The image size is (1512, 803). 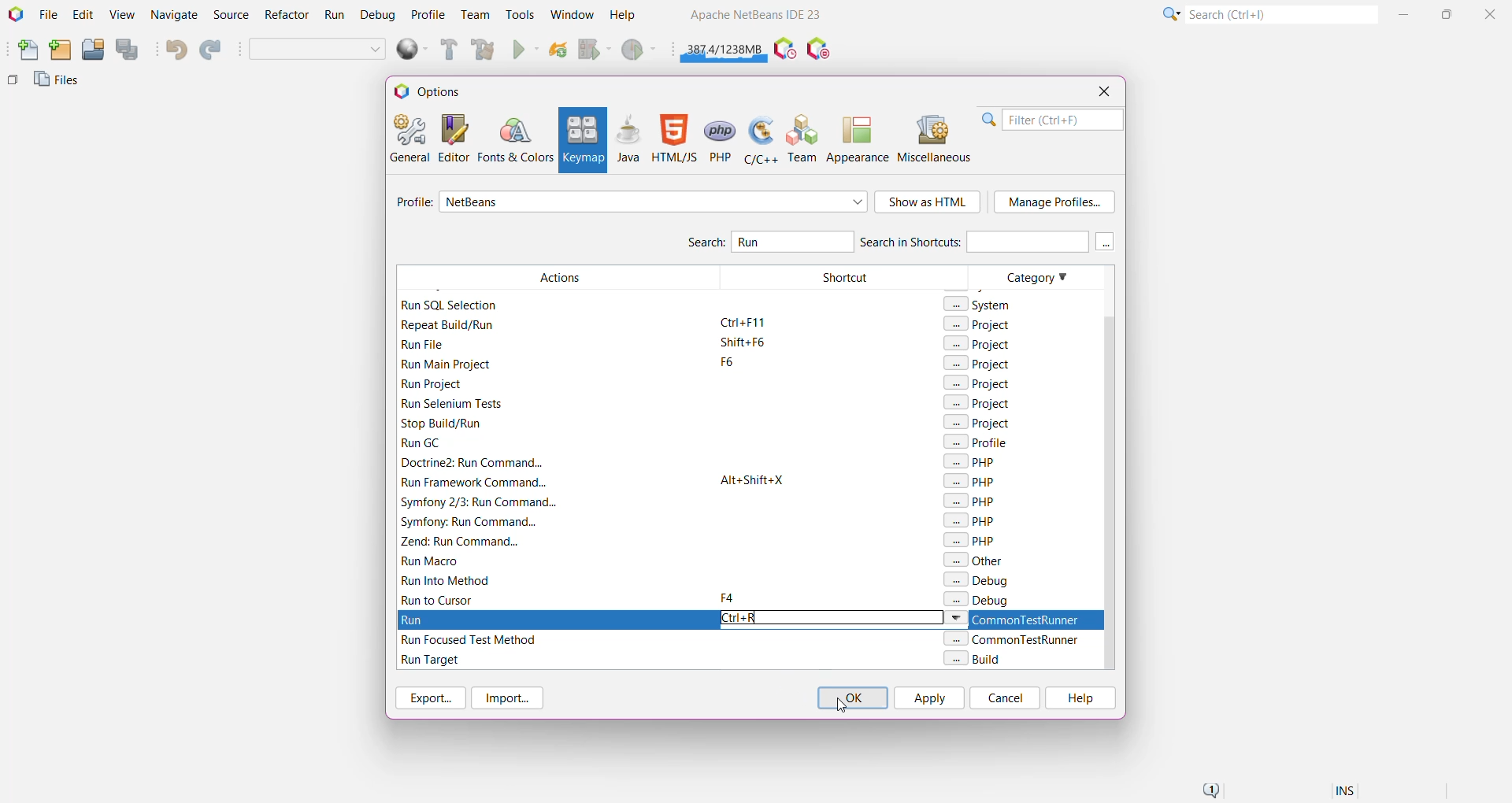 I want to click on Team, so click(x=803, y=139).